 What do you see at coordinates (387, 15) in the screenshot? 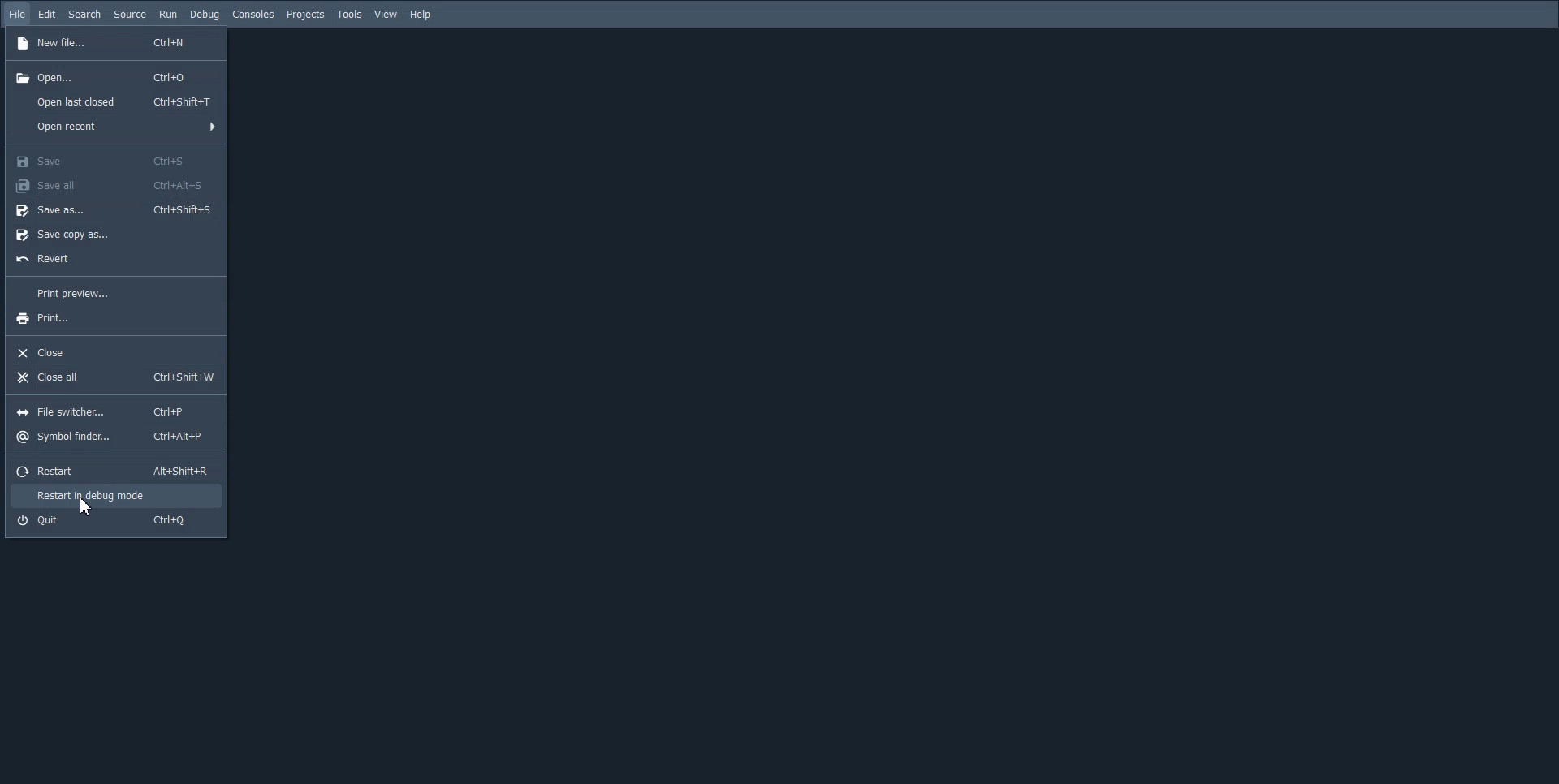
I see `View` at bounding box center [387, 15].